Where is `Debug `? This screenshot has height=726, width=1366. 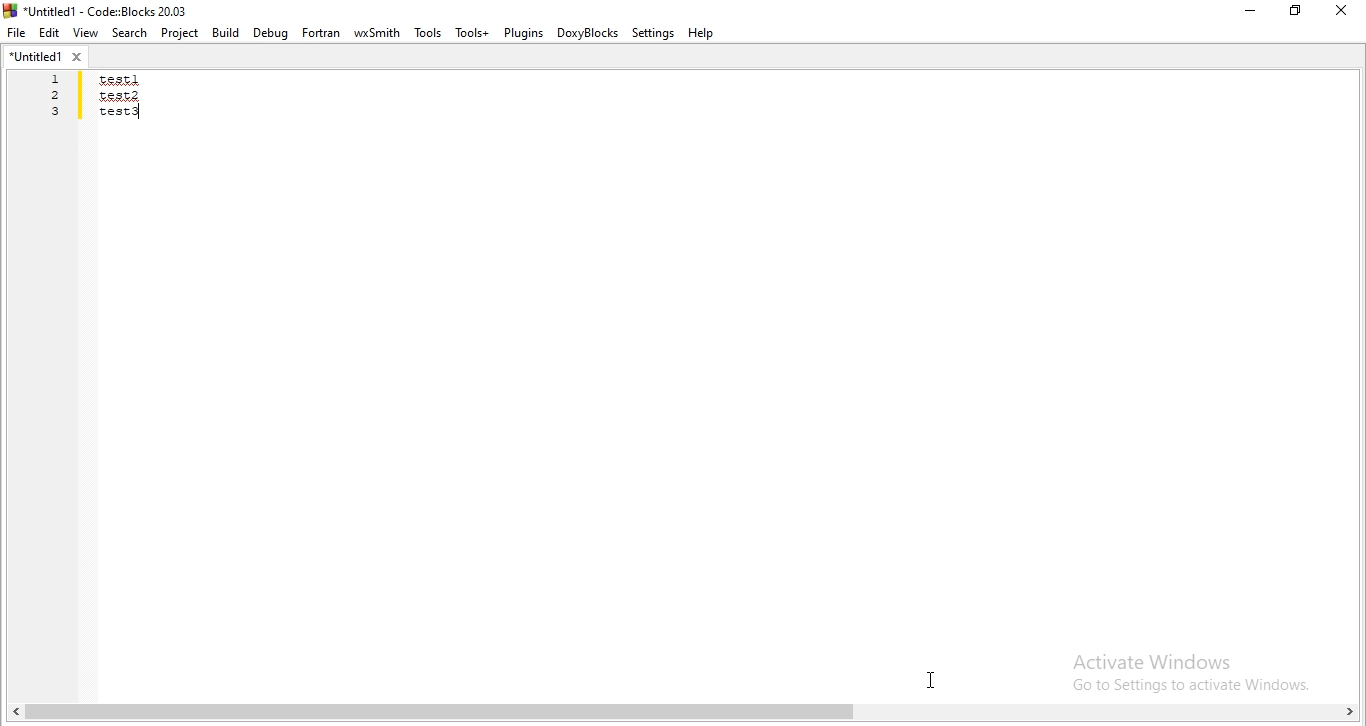 Debug  is located at coordinates (272, 32).